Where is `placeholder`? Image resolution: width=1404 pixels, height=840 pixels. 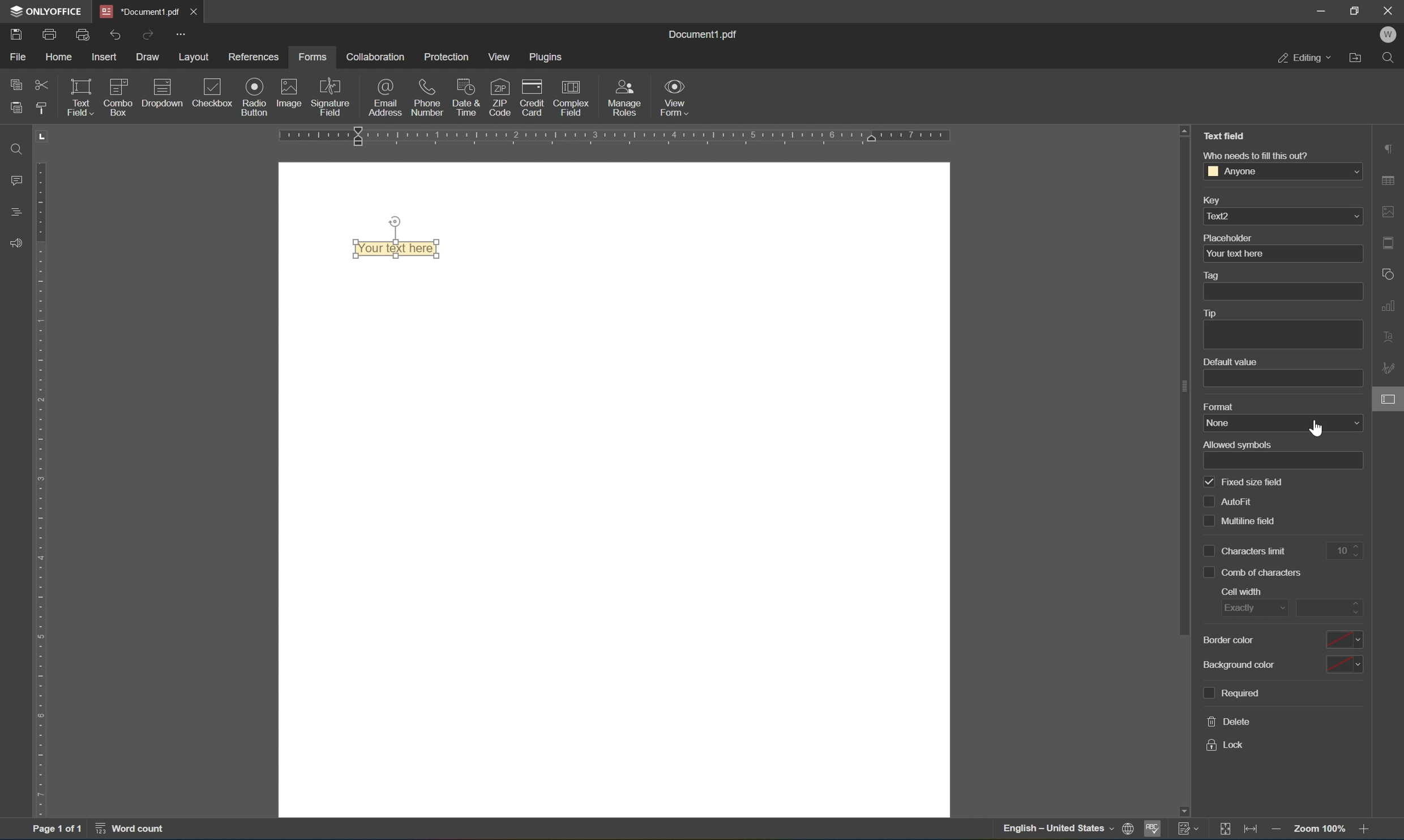 placeholder is located at coordinates (1227, 237).